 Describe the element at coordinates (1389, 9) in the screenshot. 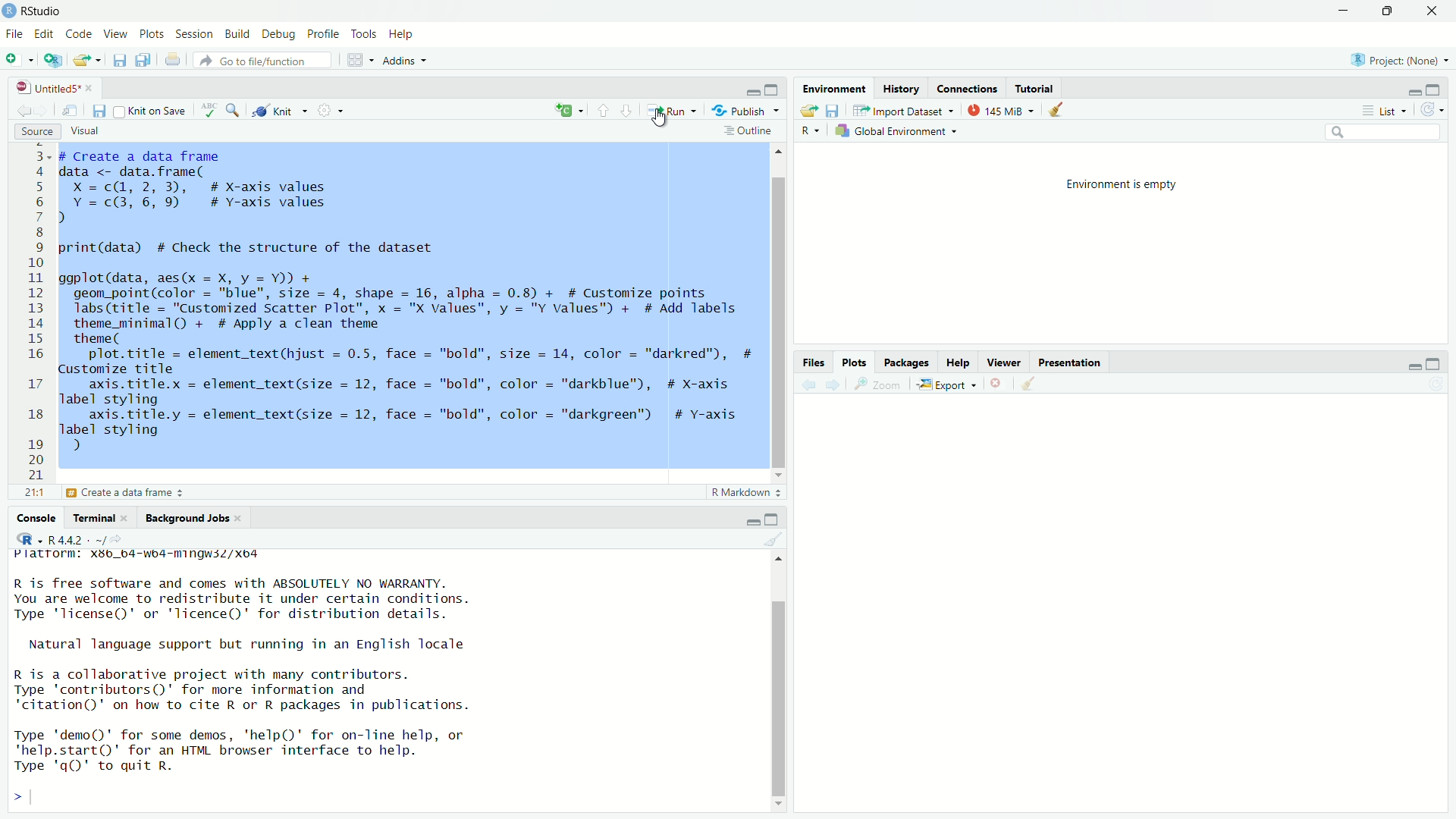

I see `Maximize` at that location.